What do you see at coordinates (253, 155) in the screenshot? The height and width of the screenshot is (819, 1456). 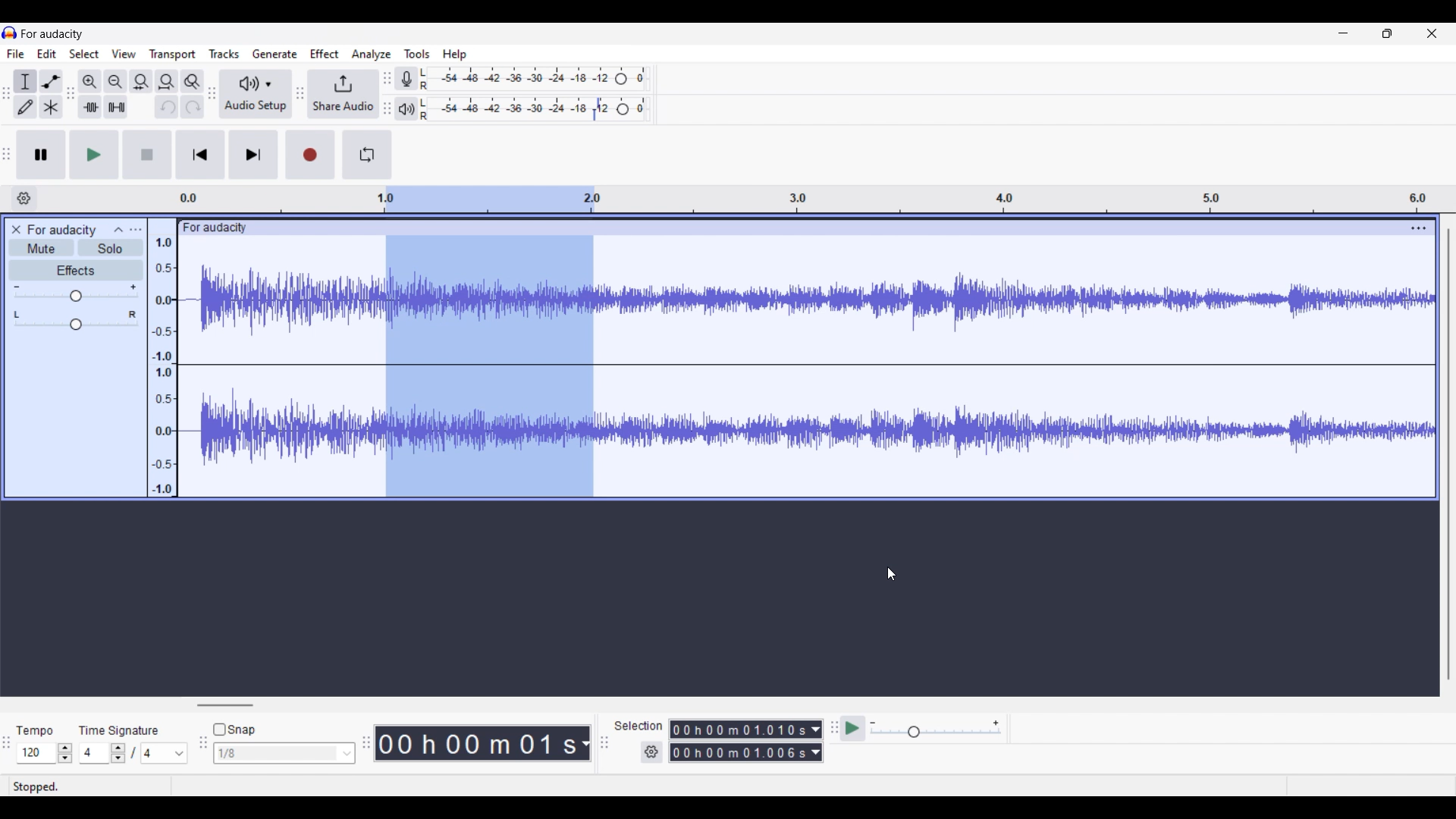 I see `Skip/Select to end` at bounding box center [253, 155].